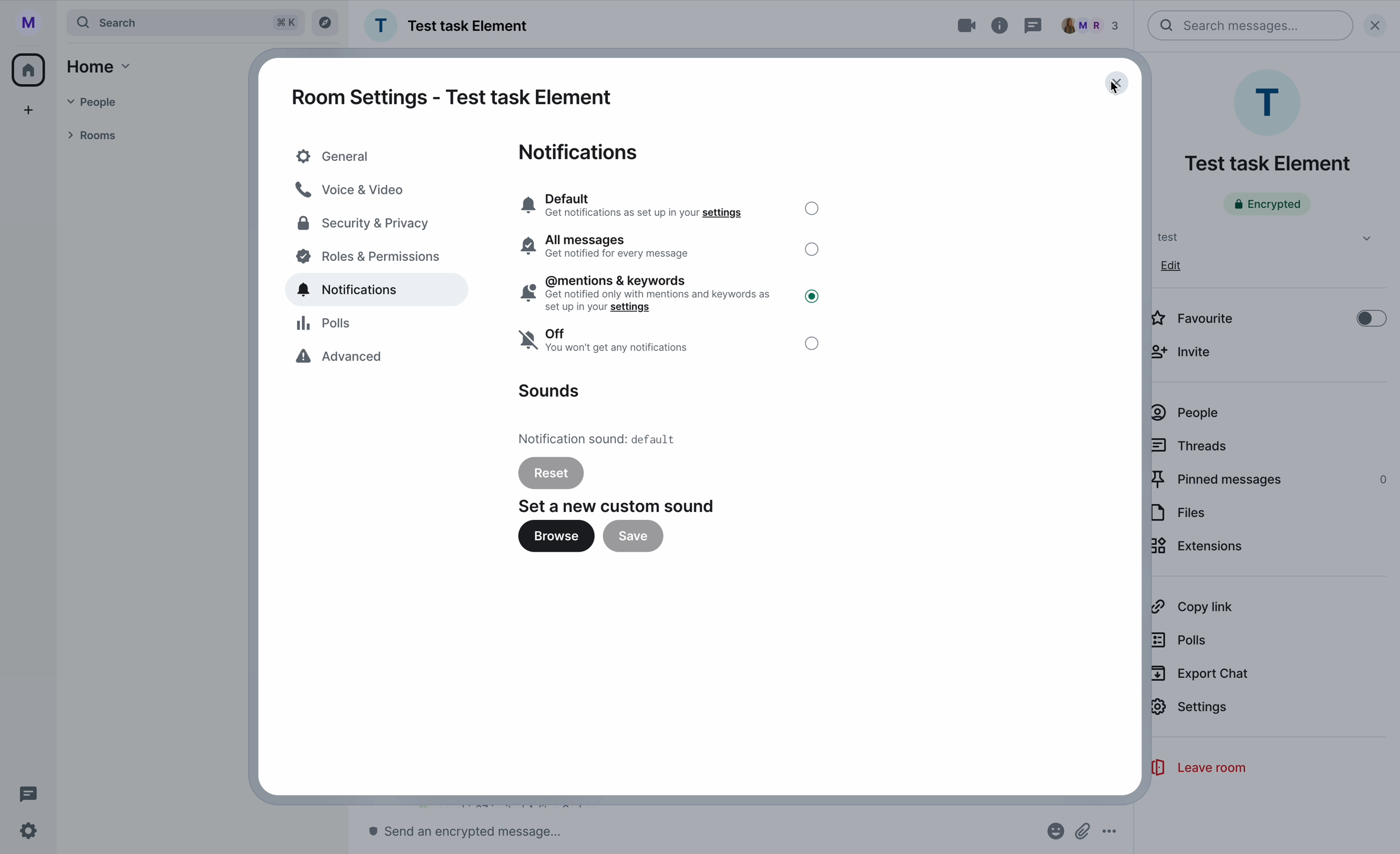  Describe the element at coordinates (343, 359) in the screenshot. I see `advanced` at that location.